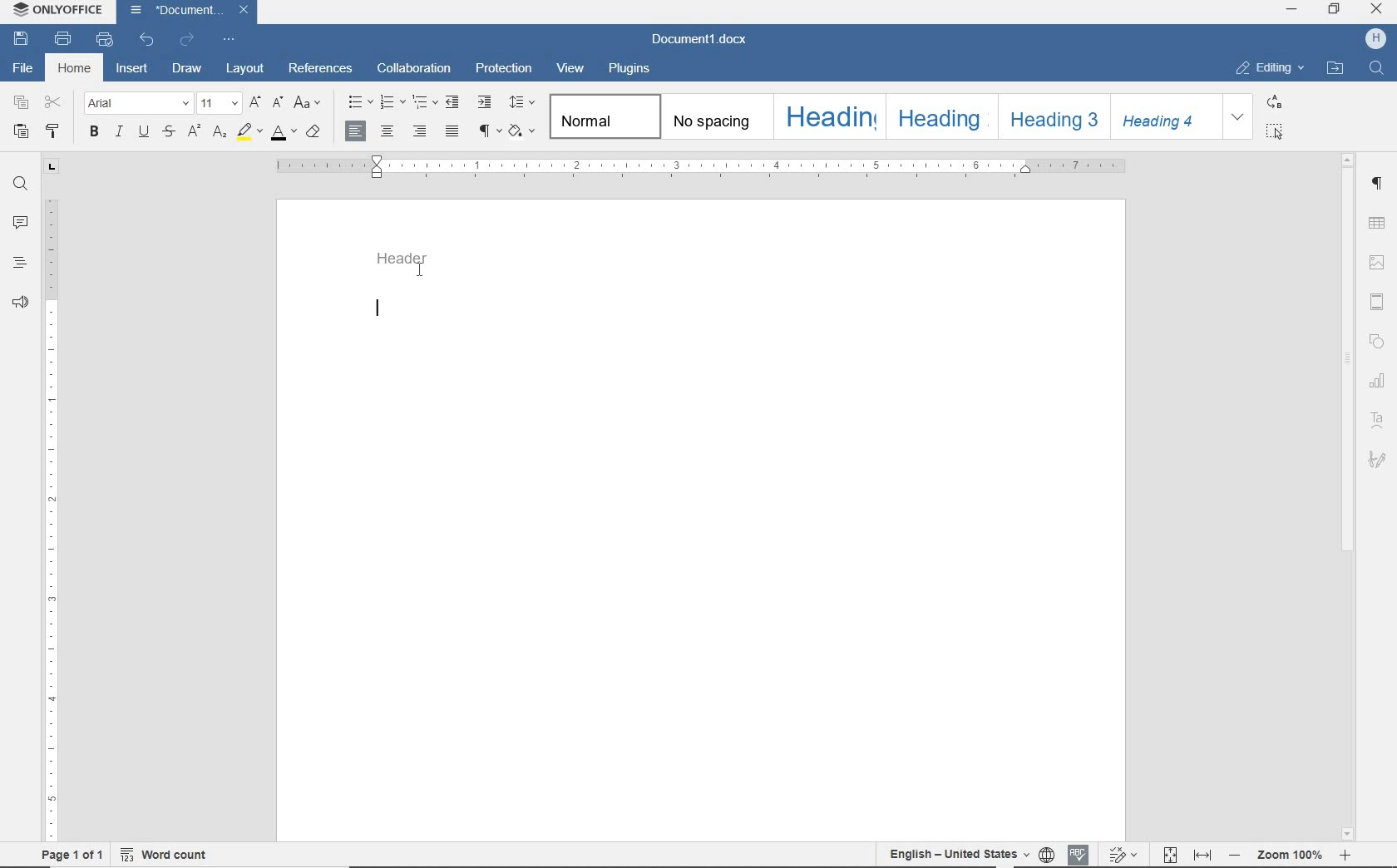  What do you see at coordinates (1377, 223) in the screenshot?
I see `TABLE` at bounding box center [1377, 223].